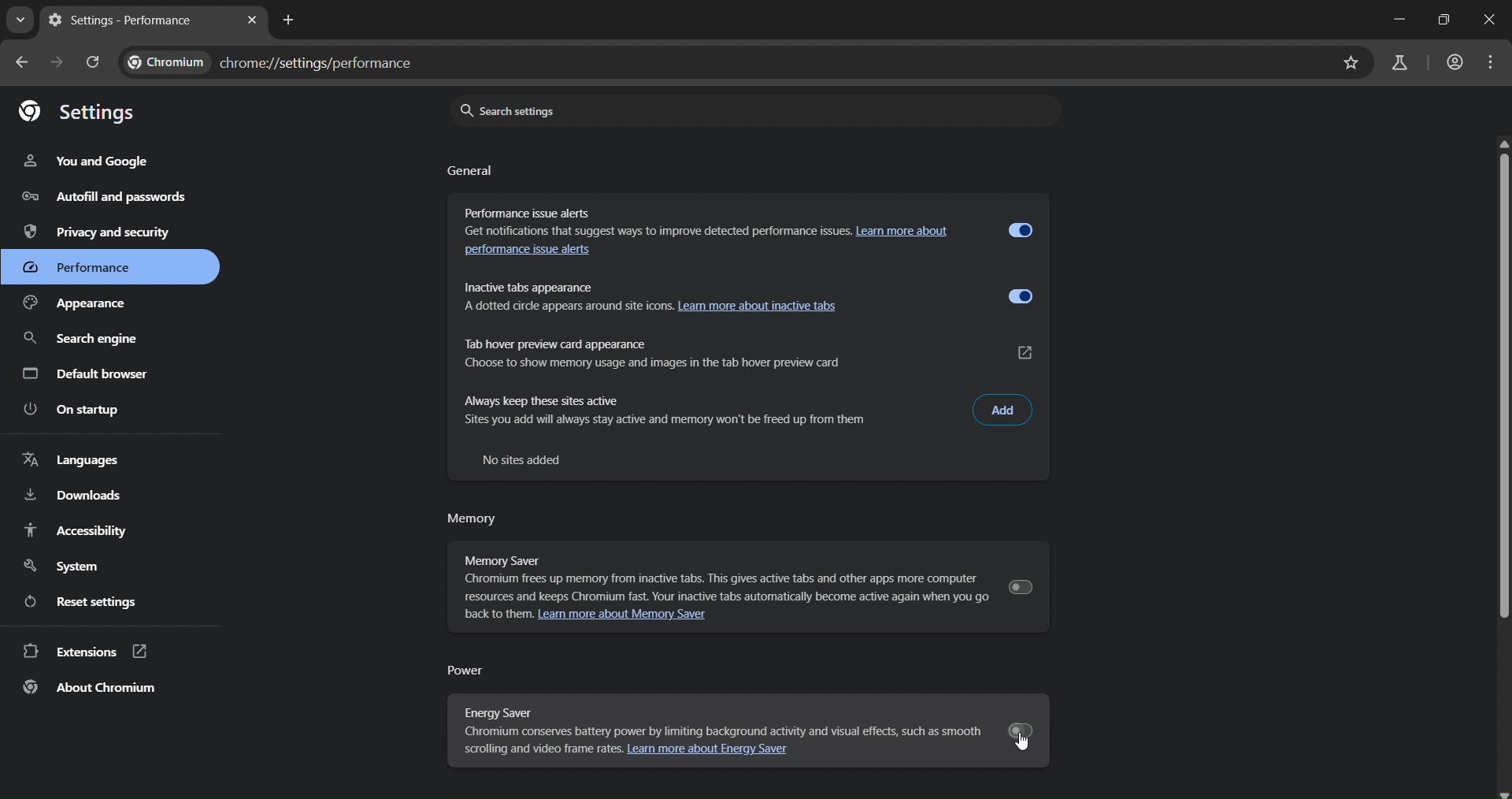 The width and height of the screenshot is (1512, 799). What do you see at coordinates (87, 373) in the screenshot?
I see `default browser` at bounding box center [87, 373].